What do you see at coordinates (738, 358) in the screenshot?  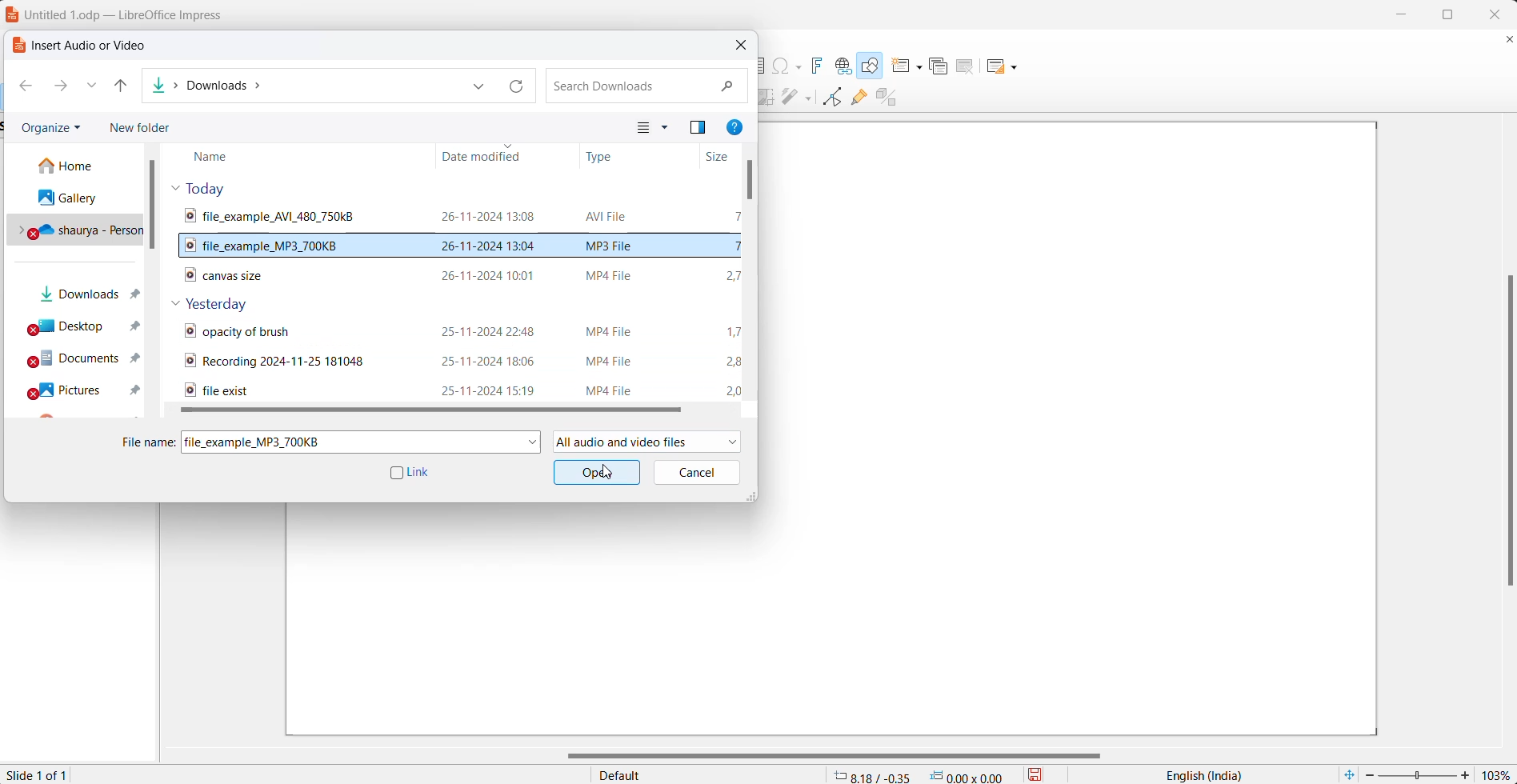 I see `video files sizes` at bounding box center [738, 358].